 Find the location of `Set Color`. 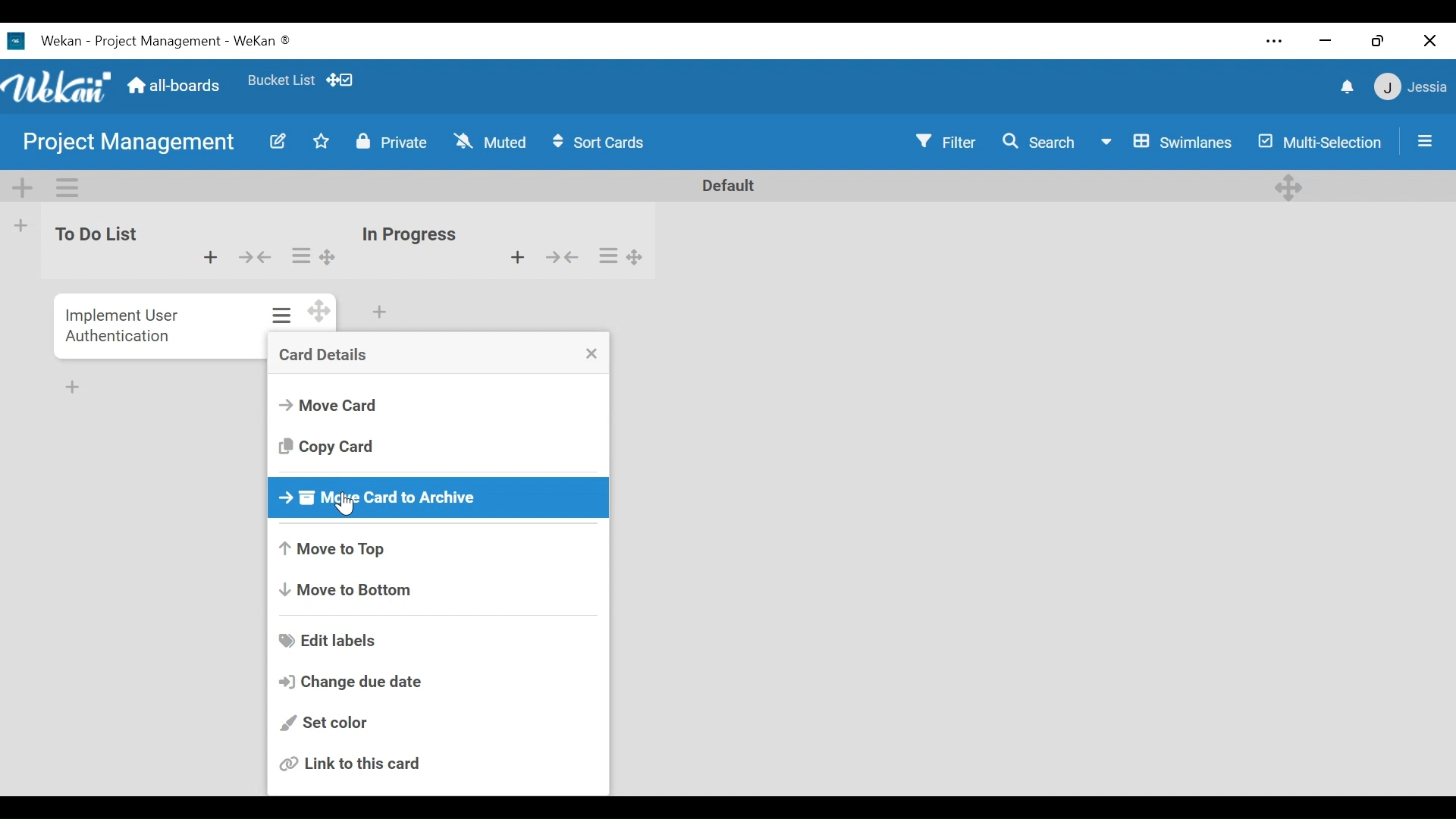

Set Color is located at coordinates (322, 724).